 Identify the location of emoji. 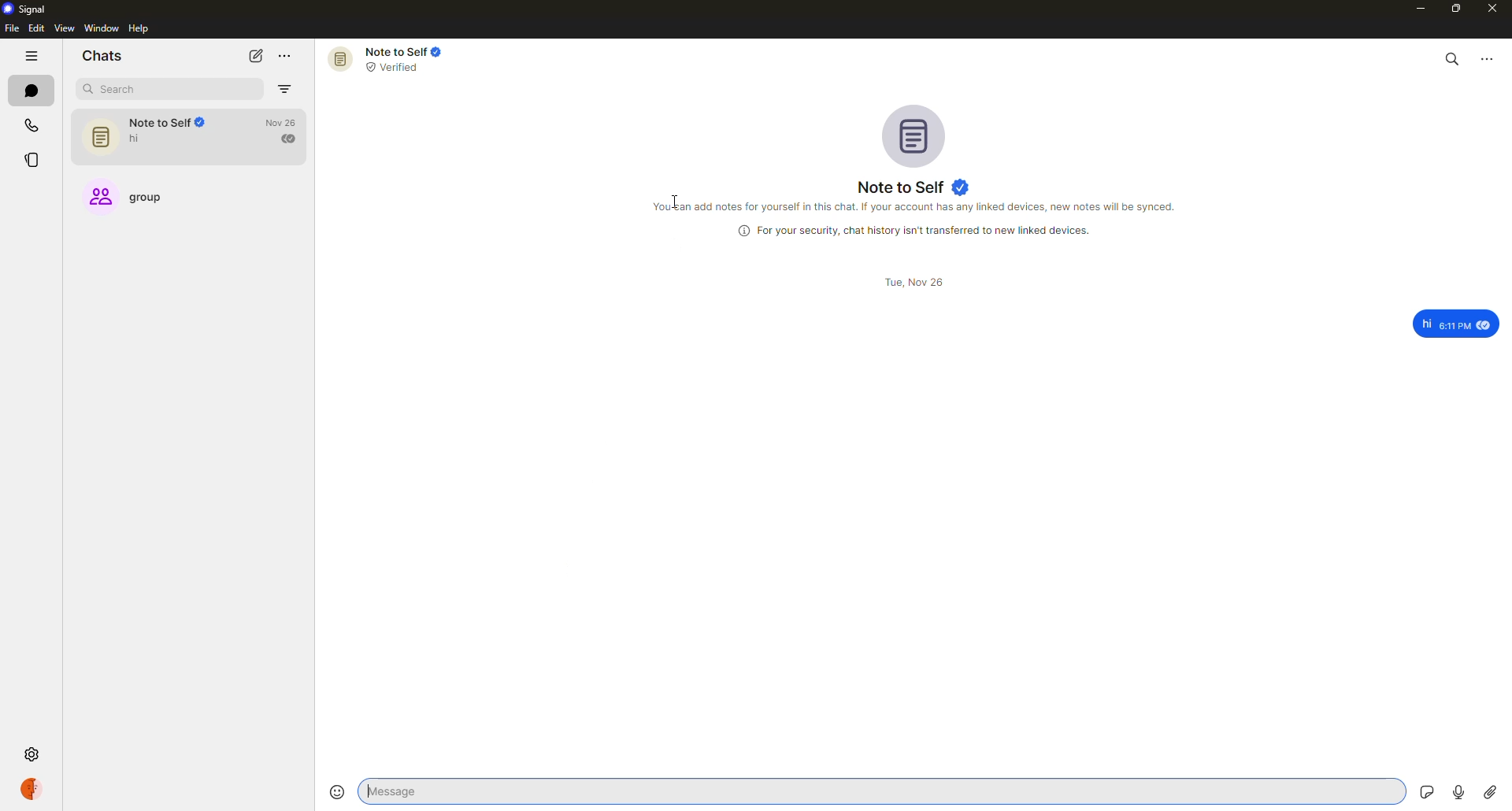
(336, 791).